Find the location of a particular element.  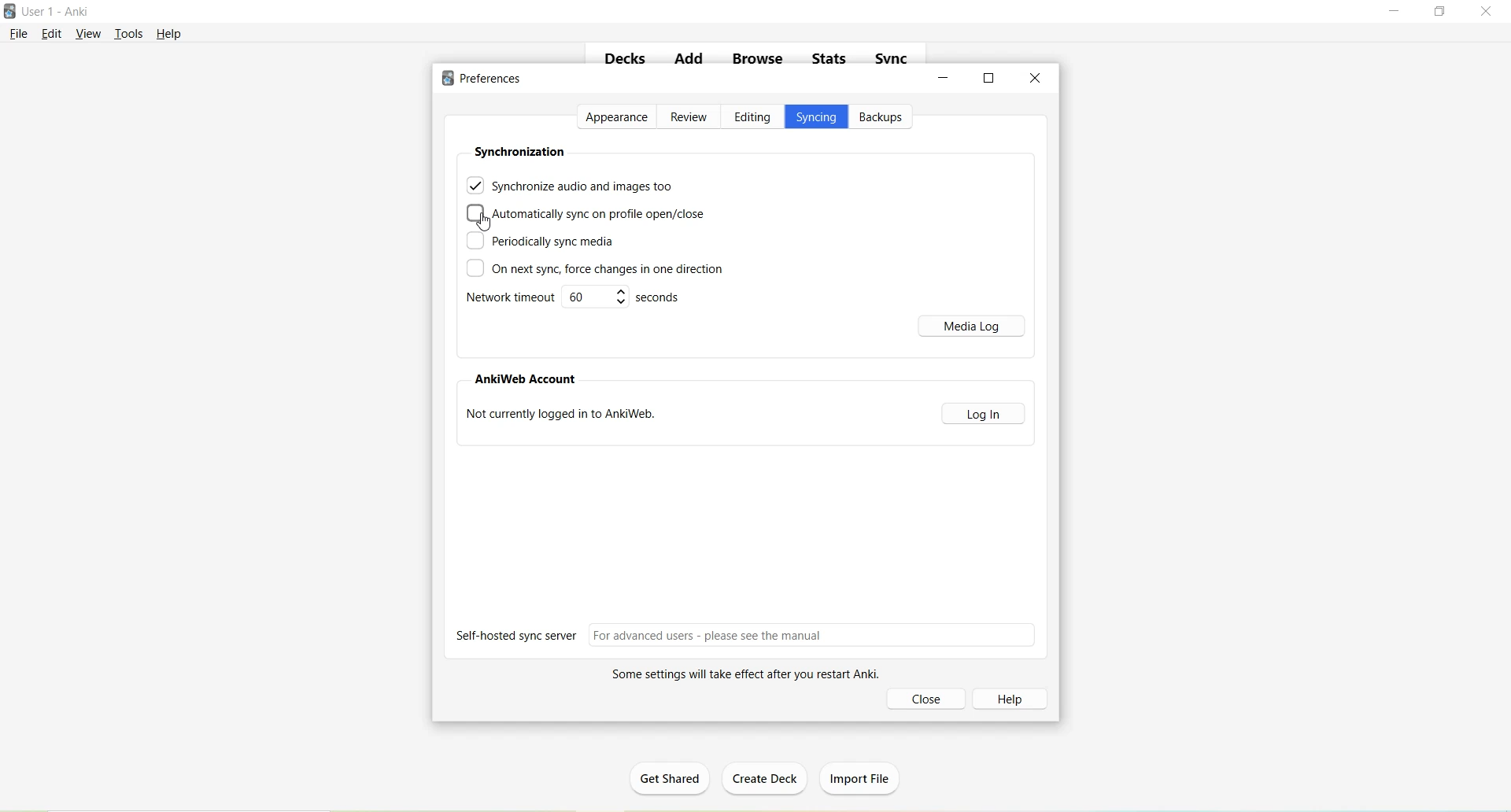

Tools is located at coordinates (132, 32).